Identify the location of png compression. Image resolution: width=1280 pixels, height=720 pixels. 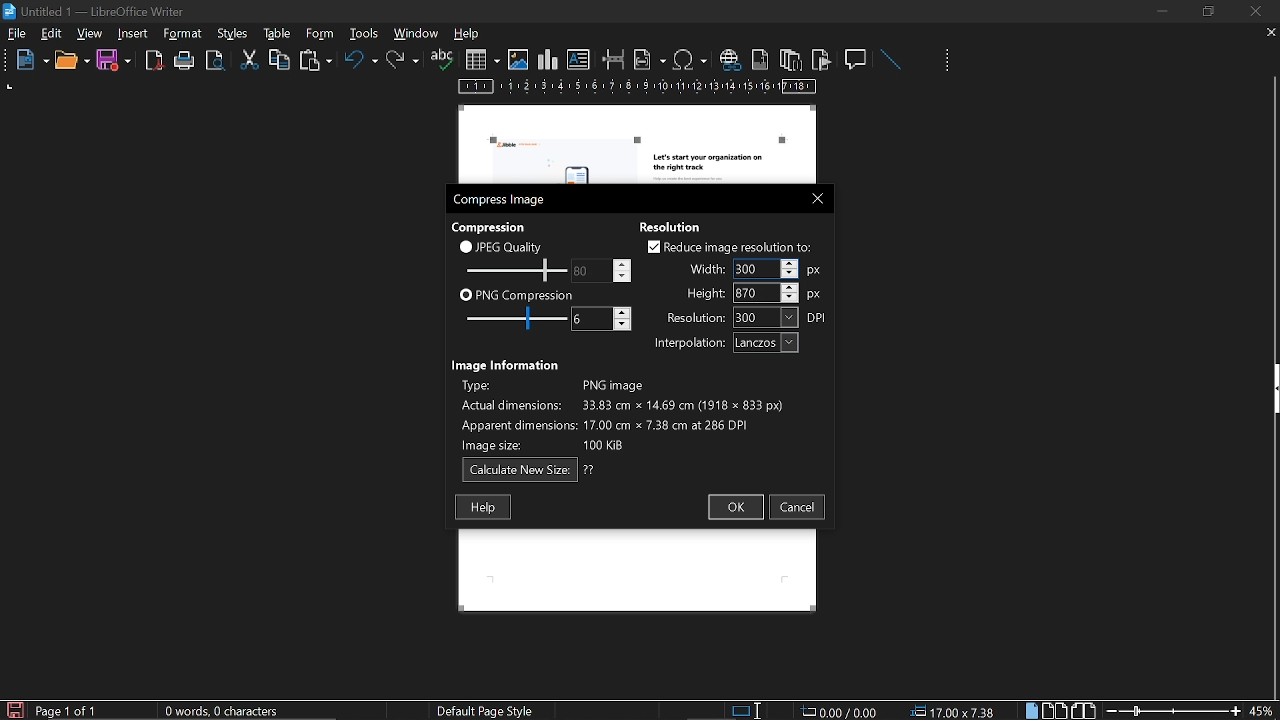
(517, 294).